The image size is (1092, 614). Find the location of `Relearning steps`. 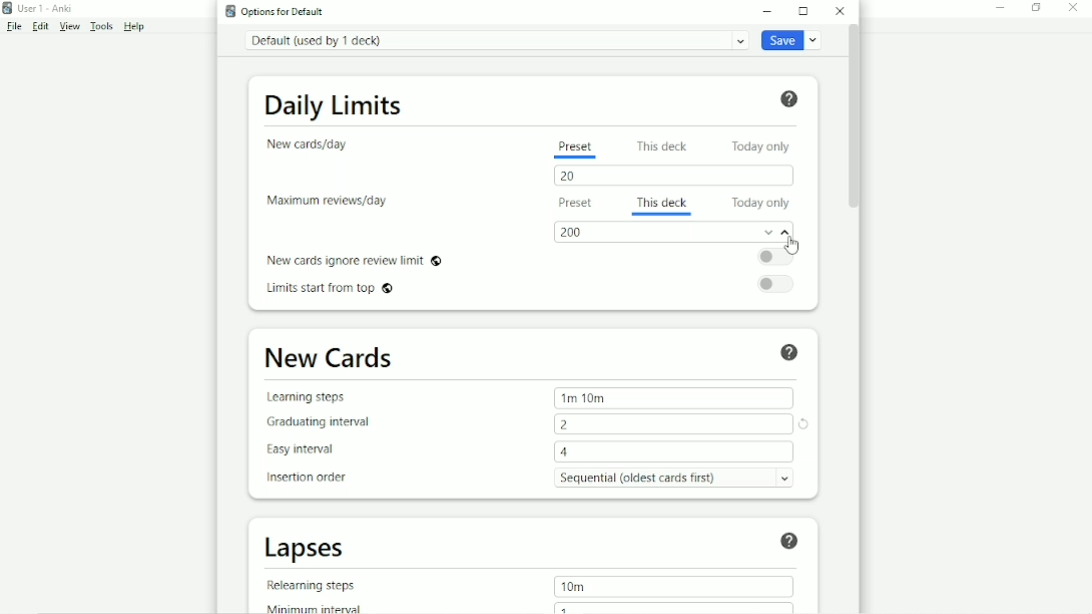

Relearning steps is located at coordinates (316, 585).